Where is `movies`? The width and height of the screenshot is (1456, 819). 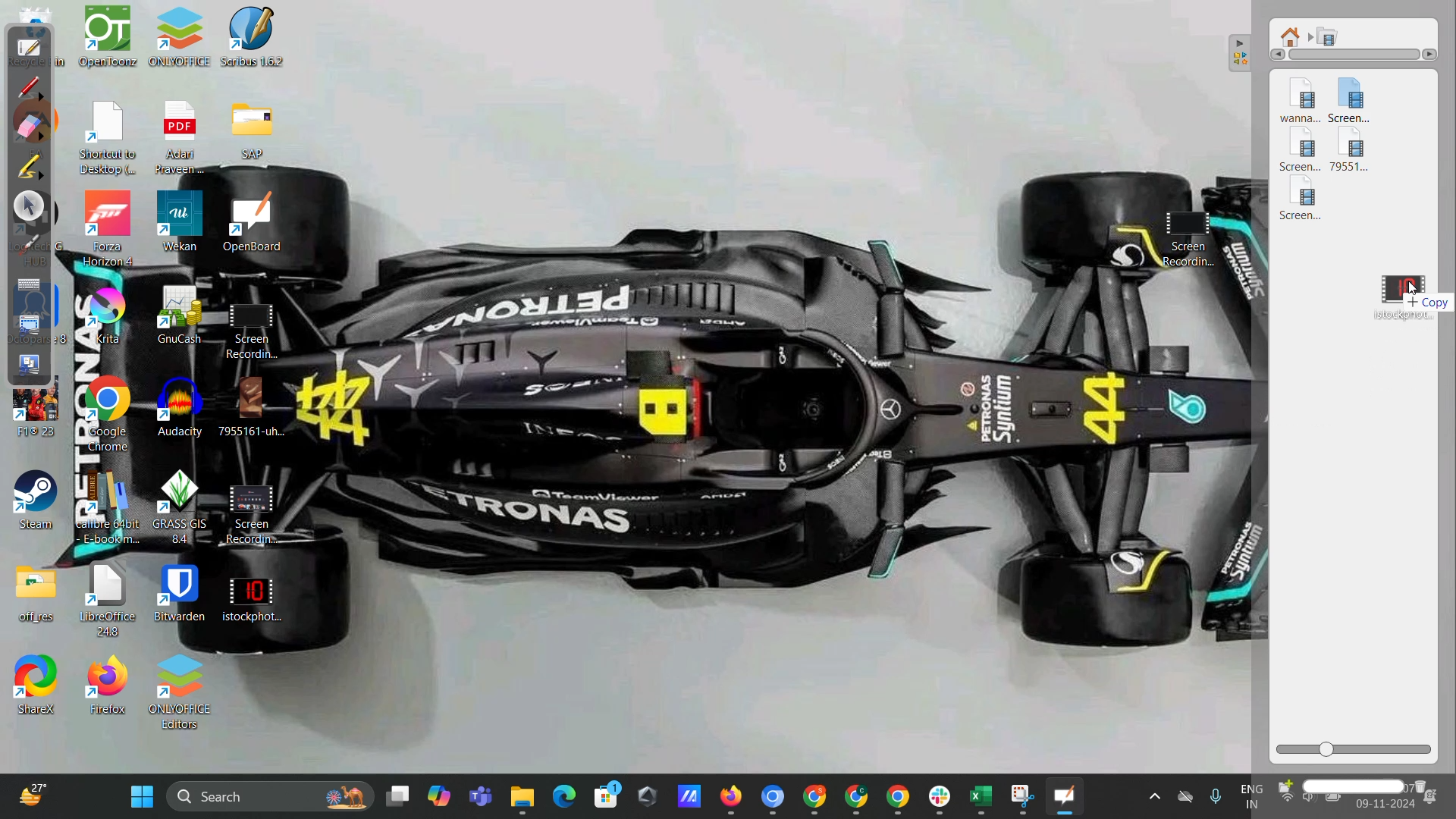 movies is located at coordinates (1329, 36).